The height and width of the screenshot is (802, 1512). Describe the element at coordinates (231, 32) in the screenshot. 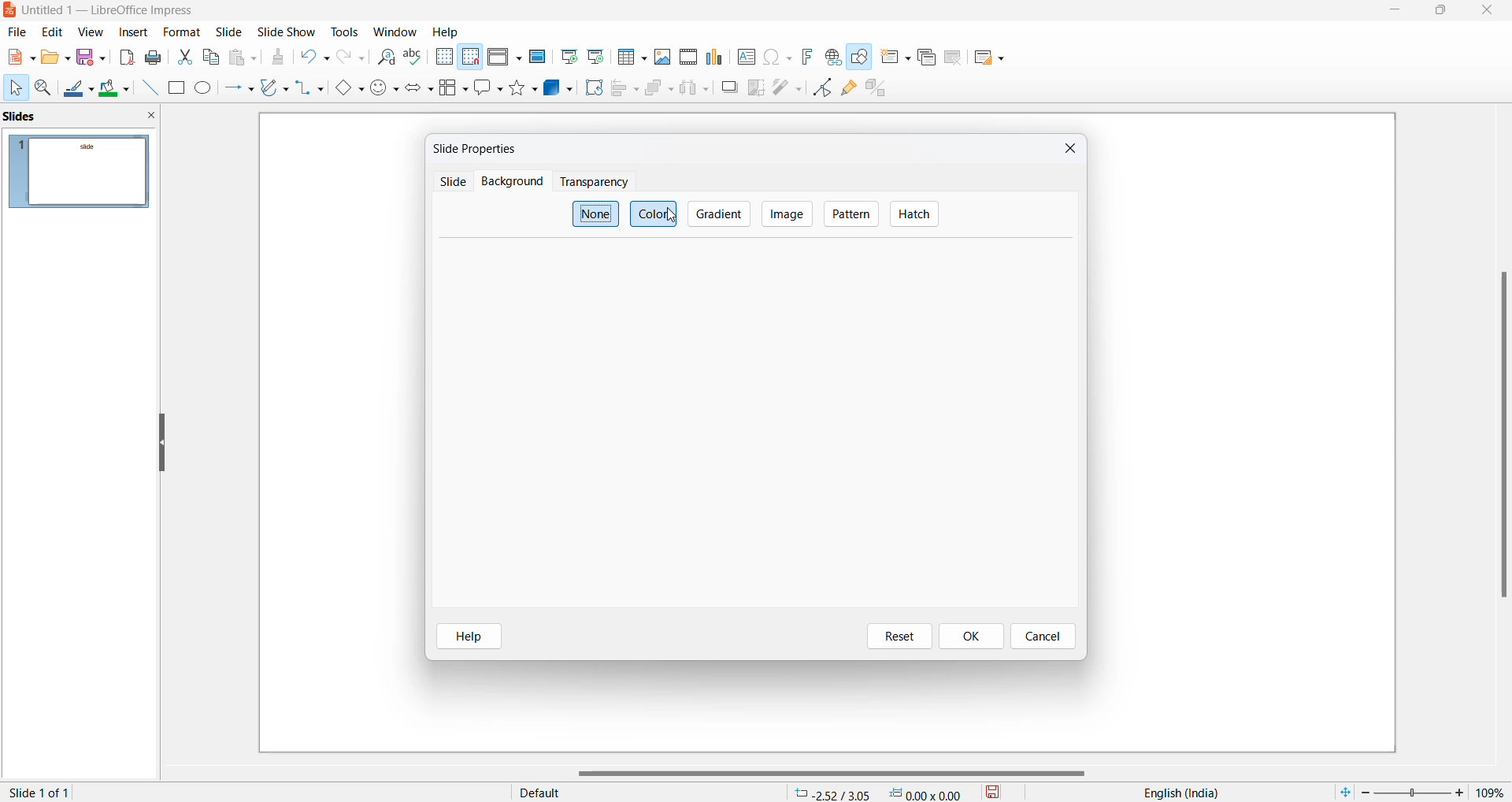

I see `slide` at that location.